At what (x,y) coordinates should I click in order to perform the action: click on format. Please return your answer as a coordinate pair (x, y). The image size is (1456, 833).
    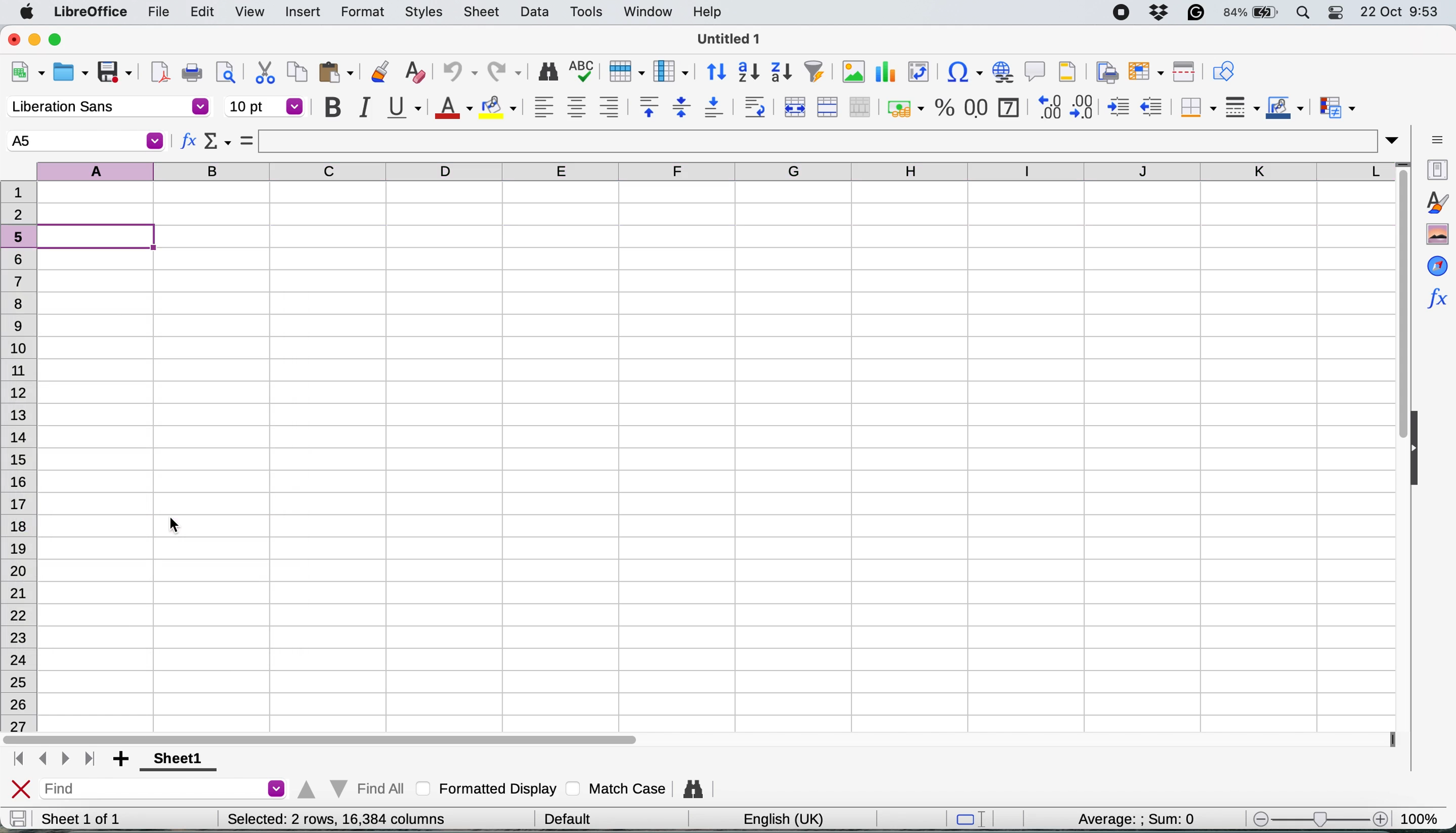
    Looking at the image, I should click on (363, 13).